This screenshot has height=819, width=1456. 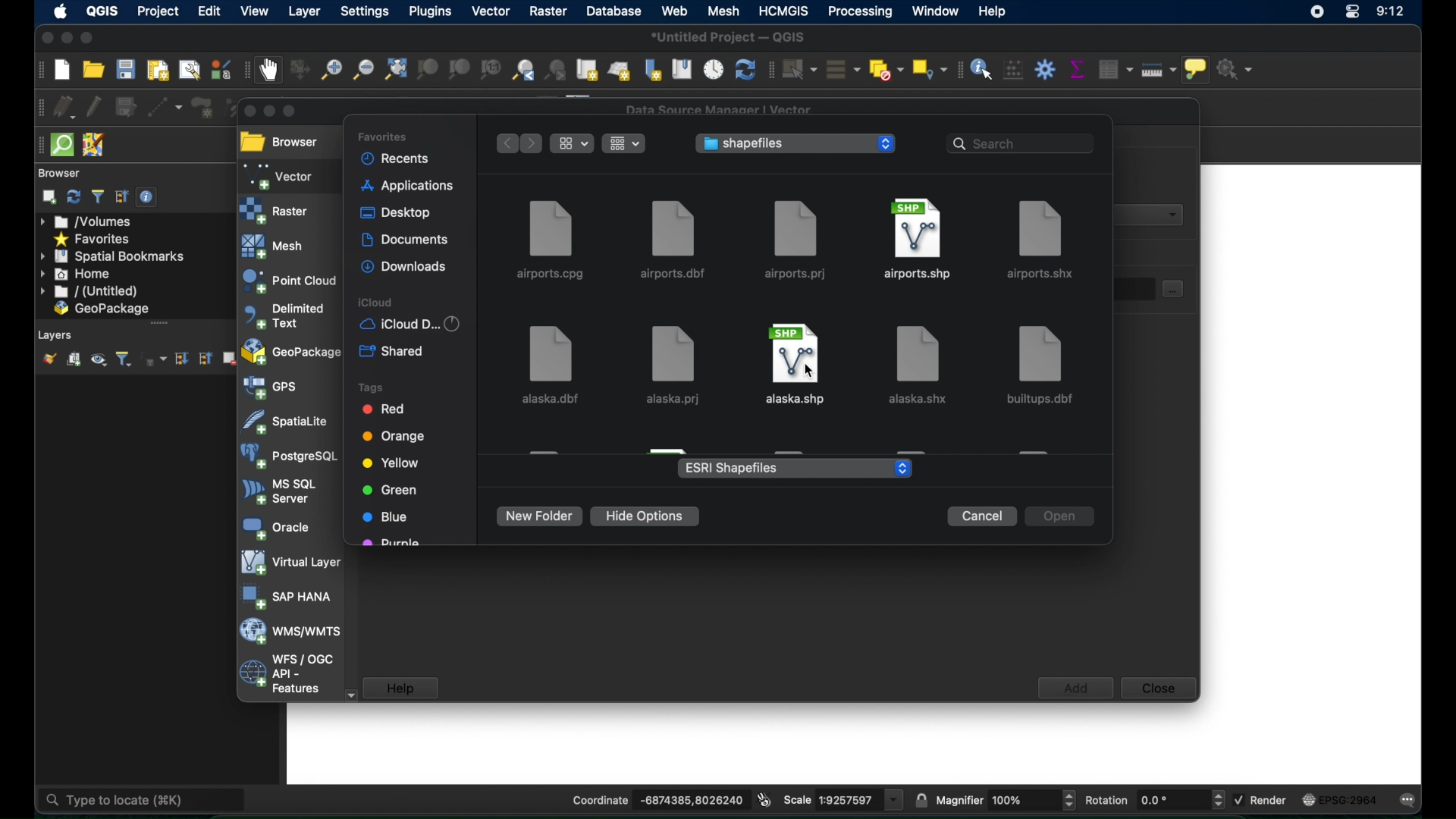 What do you see at coordinates (384, 409) in the screenshot?
I see `red` at bounding box center [384, 409].